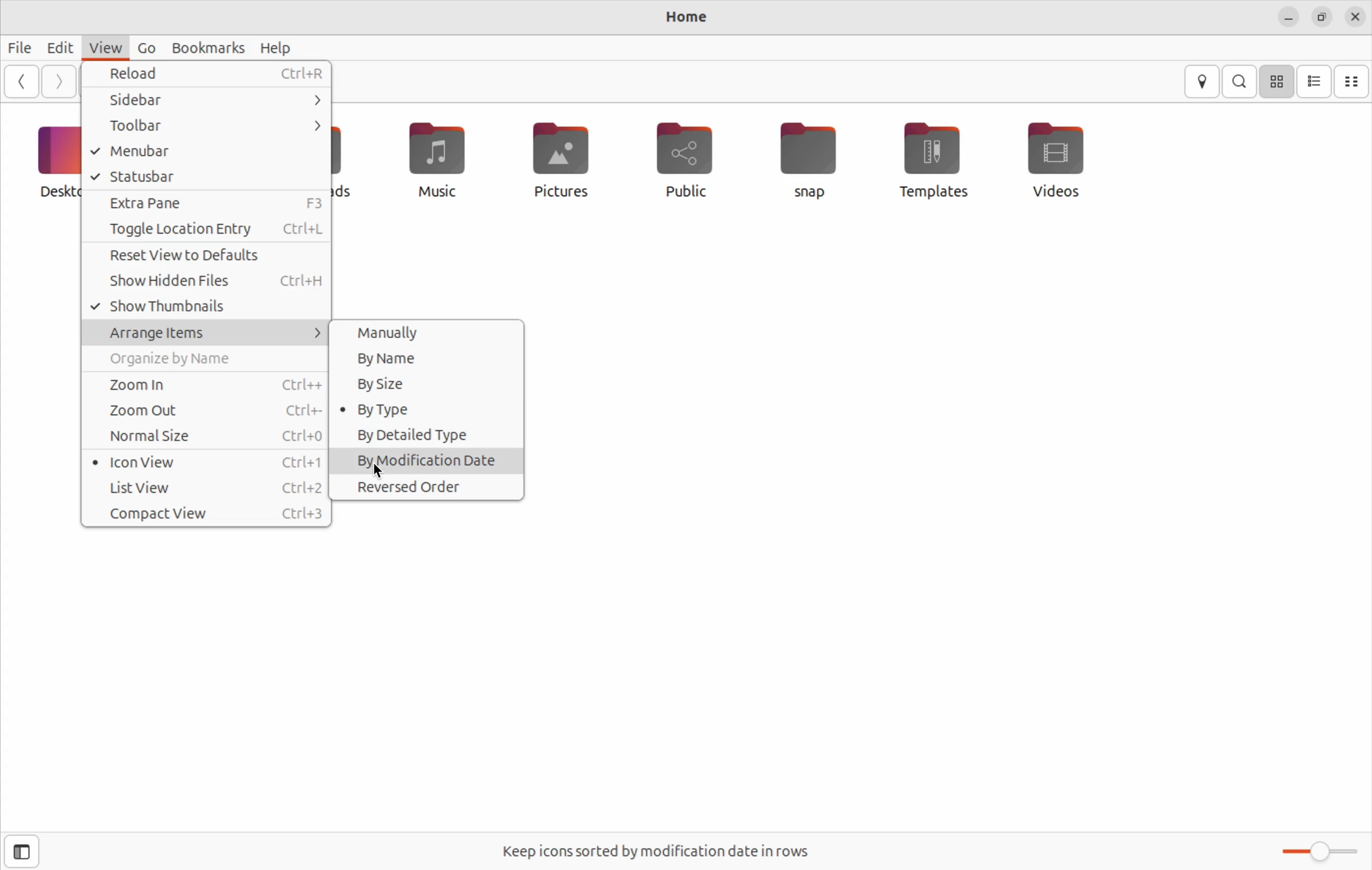 The width and height of the screenshot is (1372, 870). Describe the element at coordinates (426, 410) in the screenshot. I see `By type` at that location.